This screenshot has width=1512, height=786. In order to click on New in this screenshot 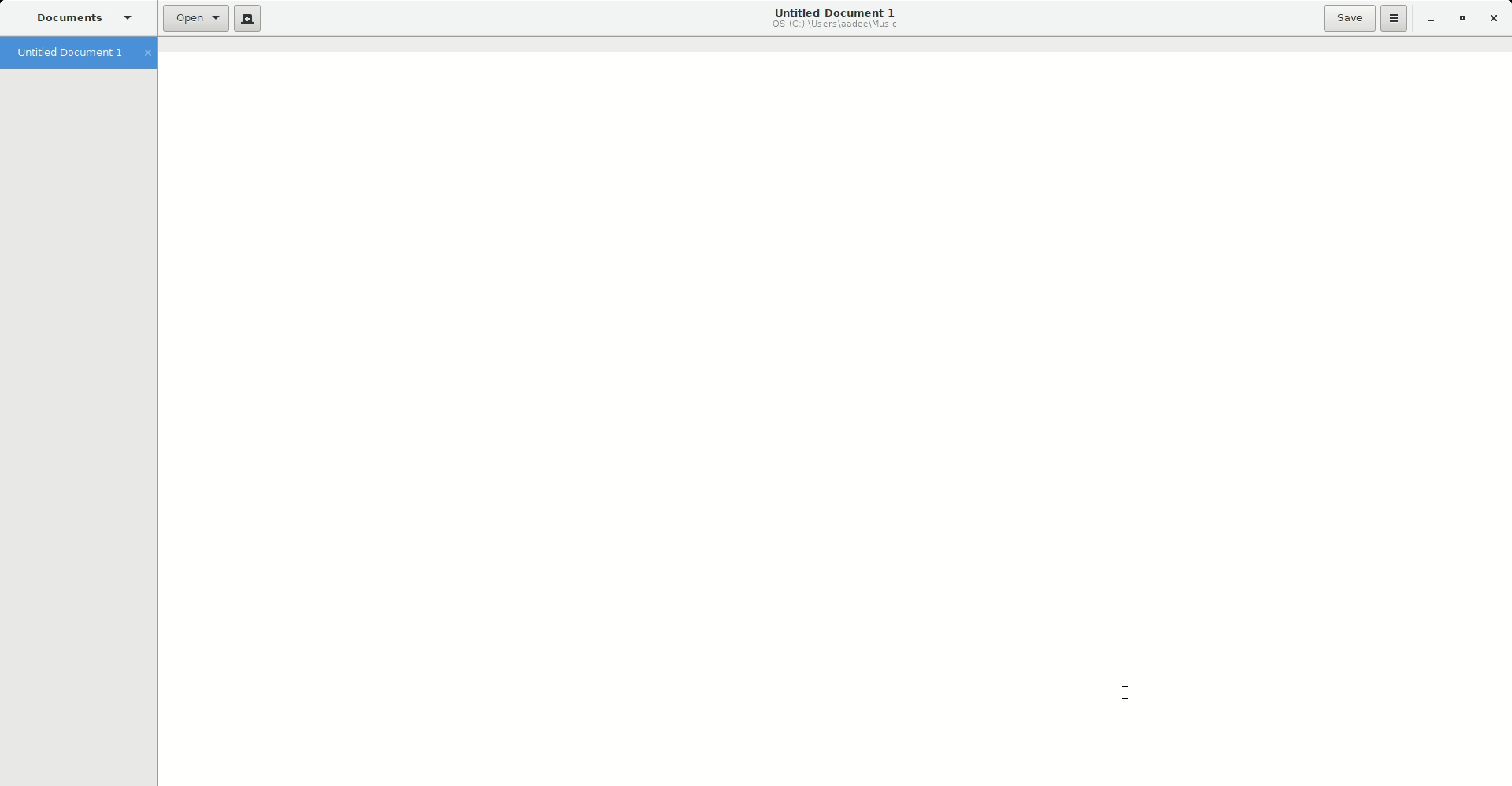, I will do `click(245, 20)`.